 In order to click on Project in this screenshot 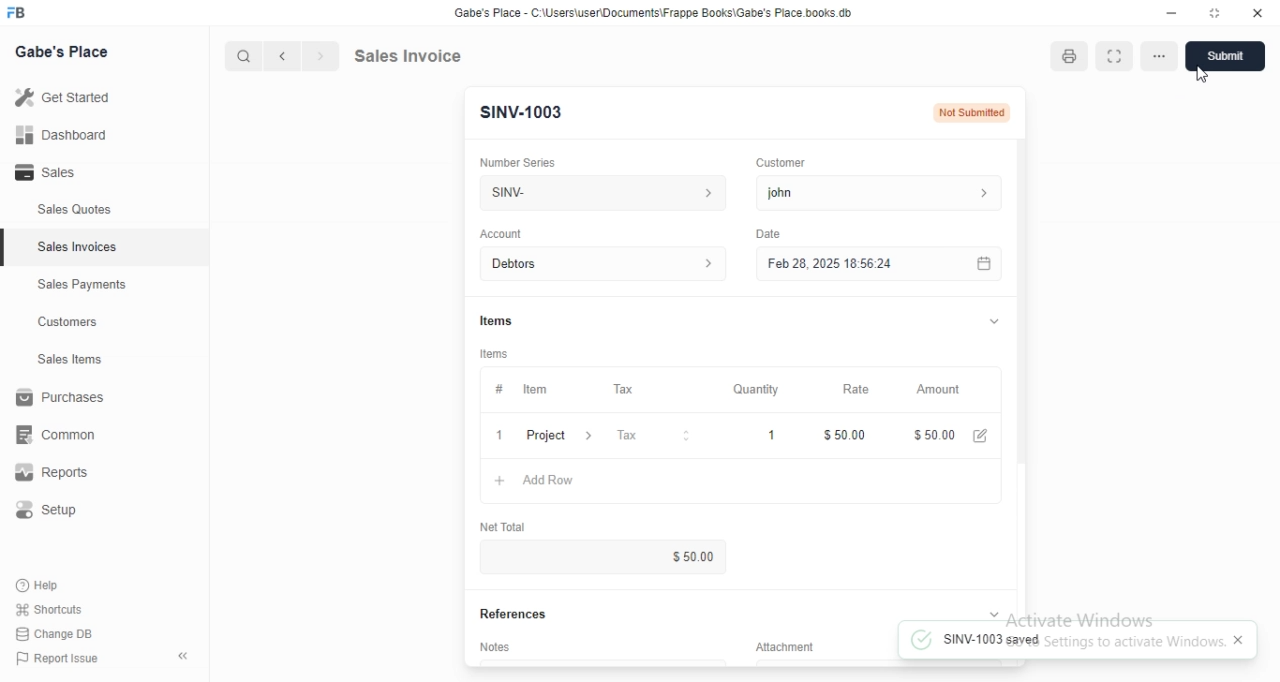, I will do `click(562, 437)`.